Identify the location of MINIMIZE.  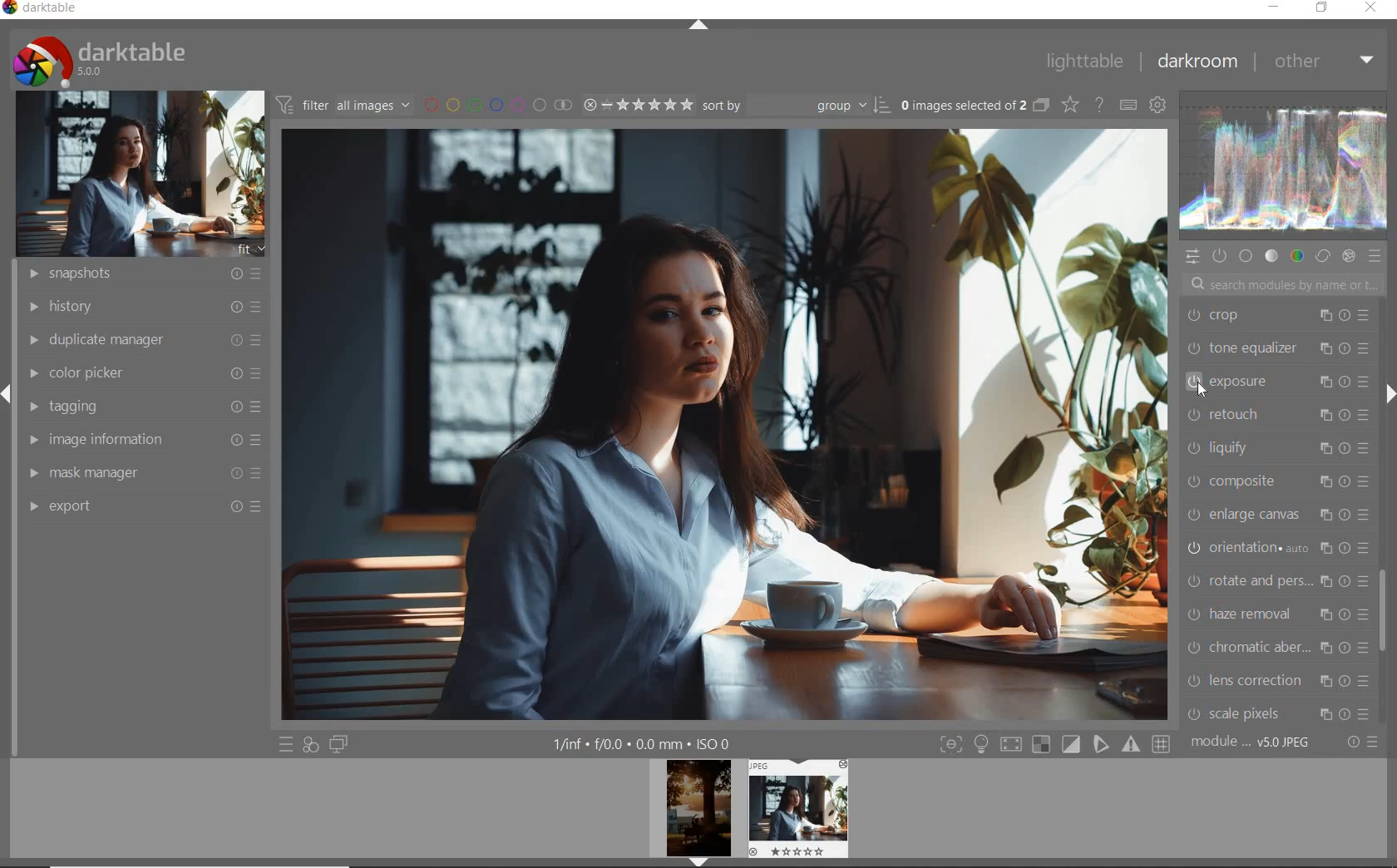
(1271, 7).